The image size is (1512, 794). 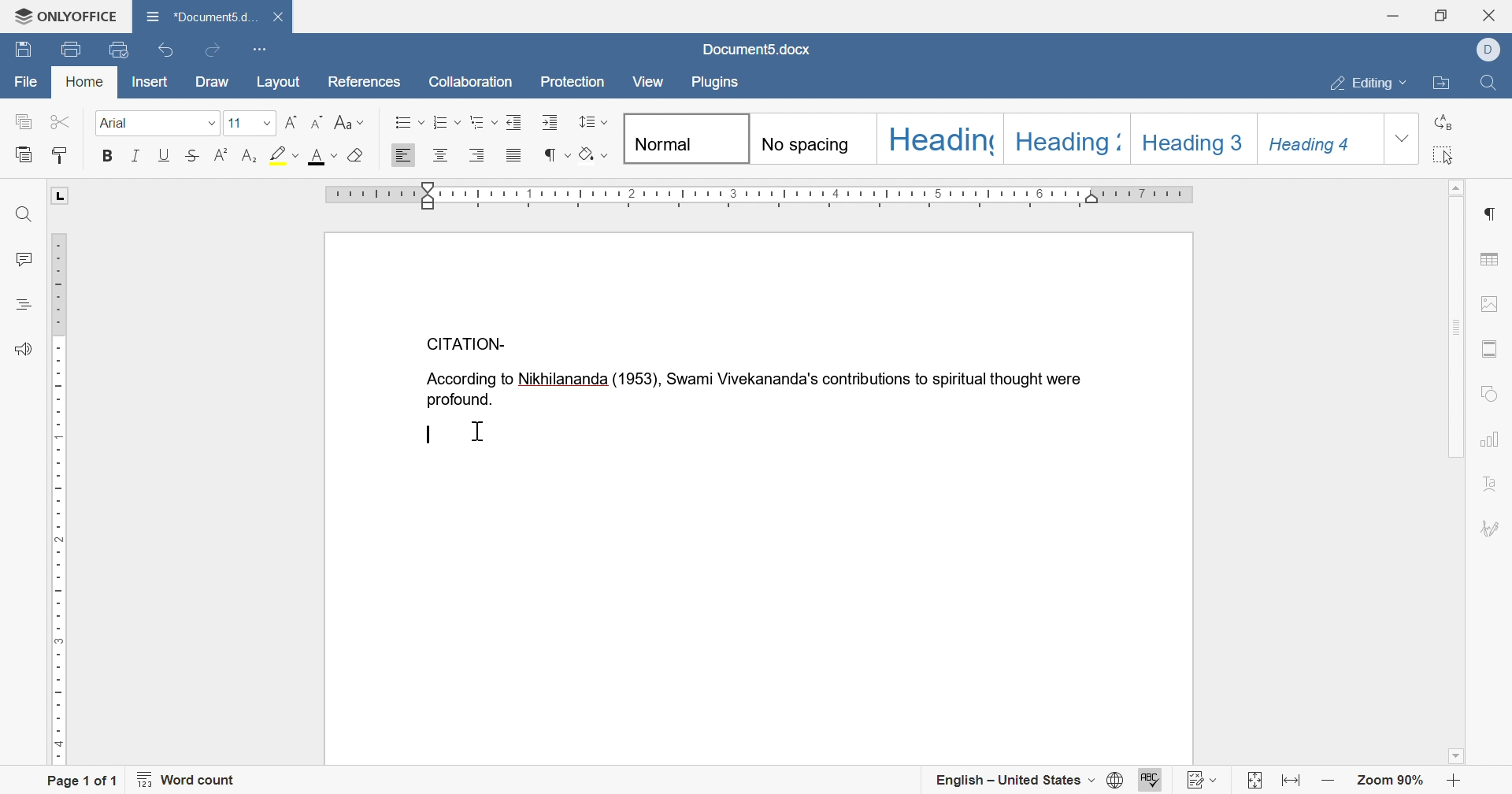 What do you see at coordinates (23, 80) in the screenshot?
I see `file` at bounding box center [23, 80].